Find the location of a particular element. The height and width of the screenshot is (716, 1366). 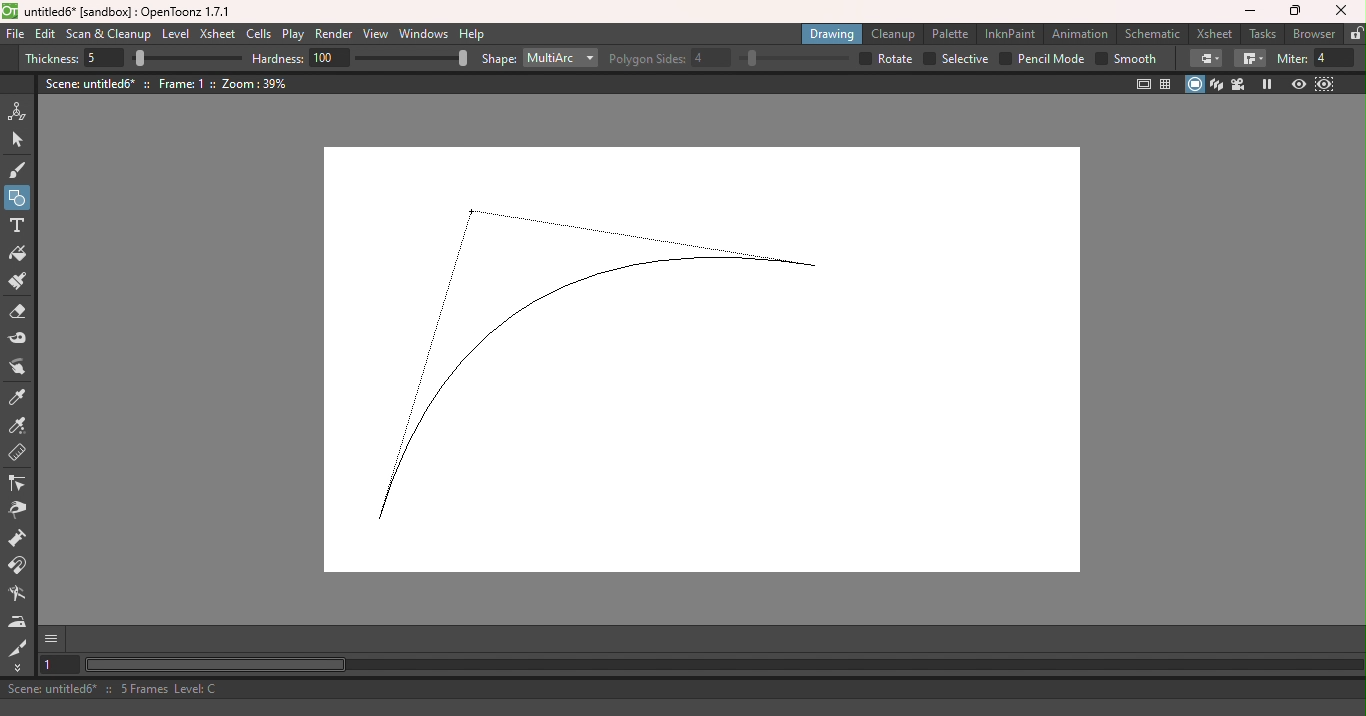

Close is located at coordinates (1344, 11).